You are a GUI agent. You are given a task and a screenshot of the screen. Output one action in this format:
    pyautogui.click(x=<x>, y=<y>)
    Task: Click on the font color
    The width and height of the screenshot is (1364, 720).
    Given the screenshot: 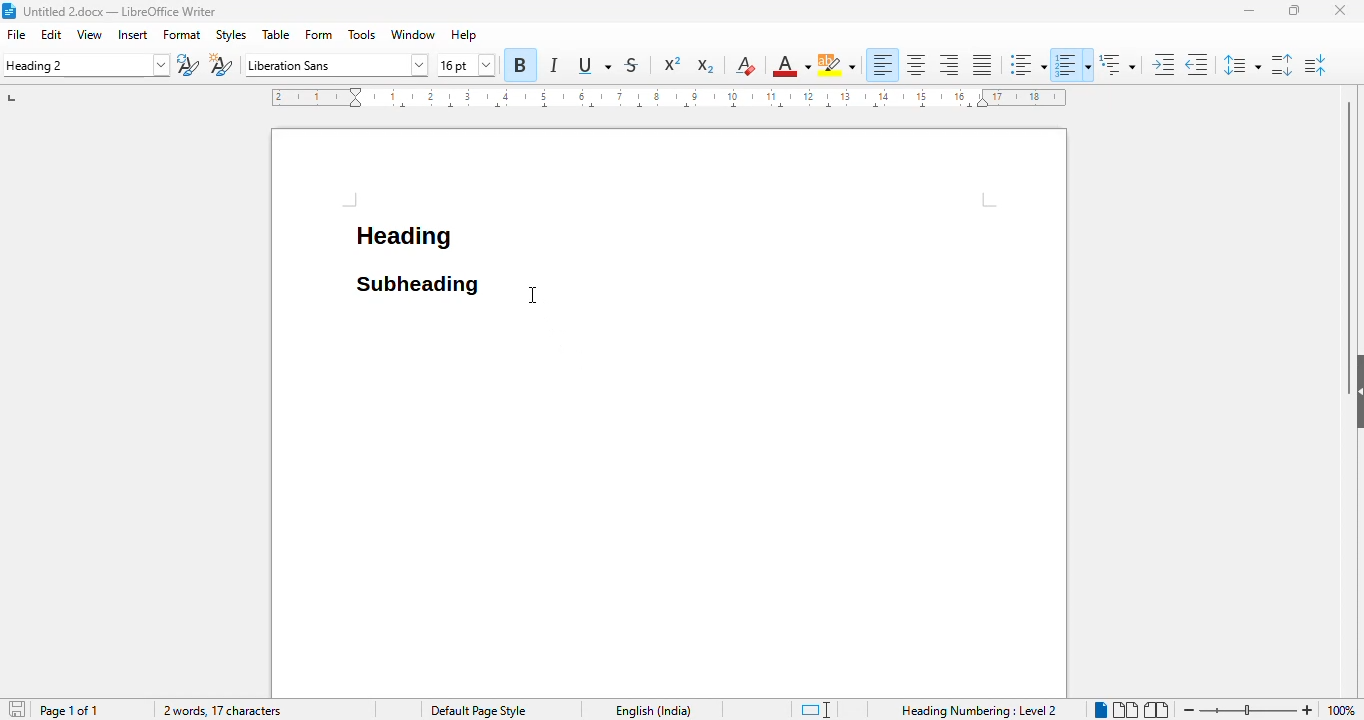 What is the action you would take?
    pyautogui.click(x=791, y=65)
    